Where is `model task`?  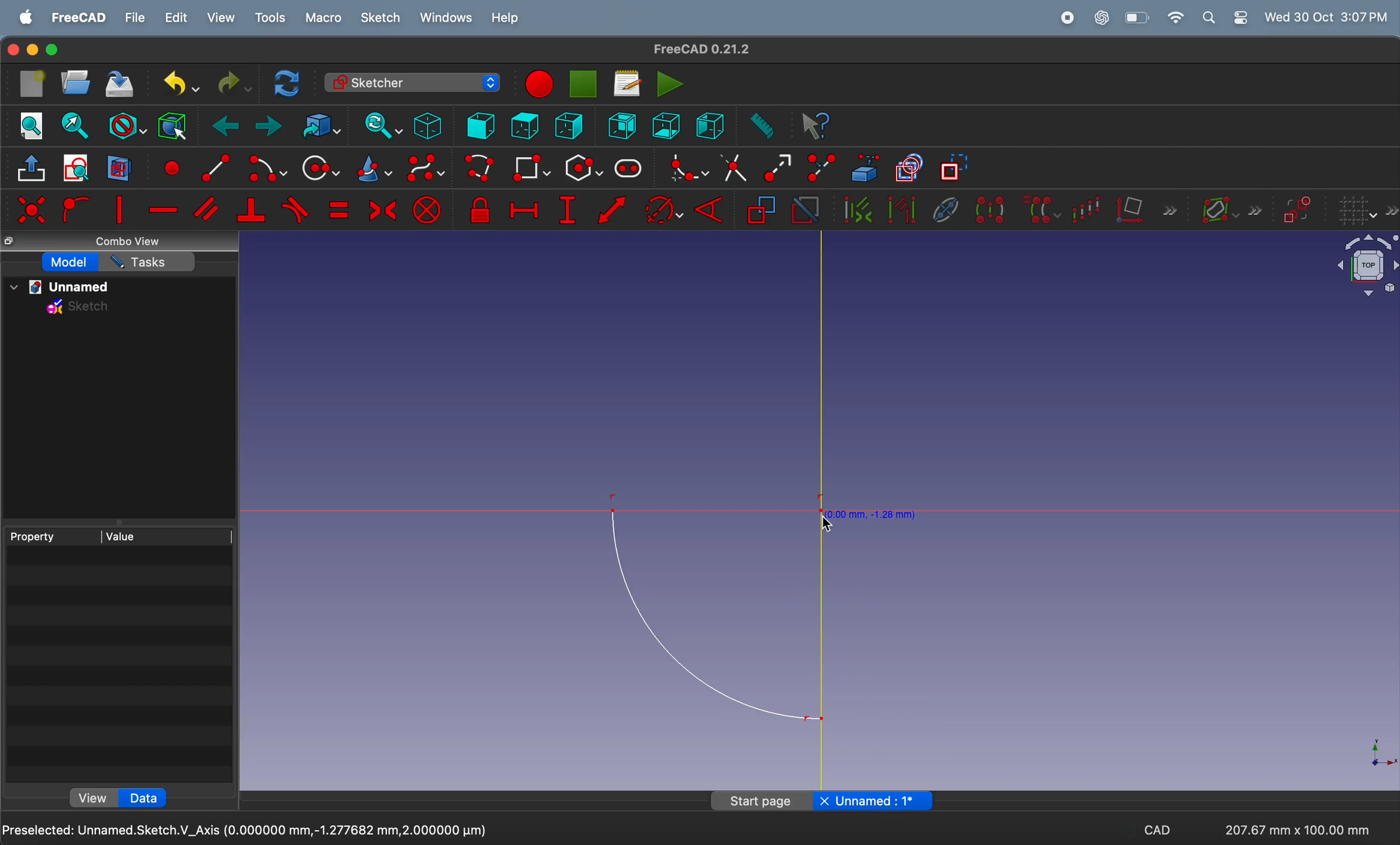
model task is located at coordinates (70, 262).